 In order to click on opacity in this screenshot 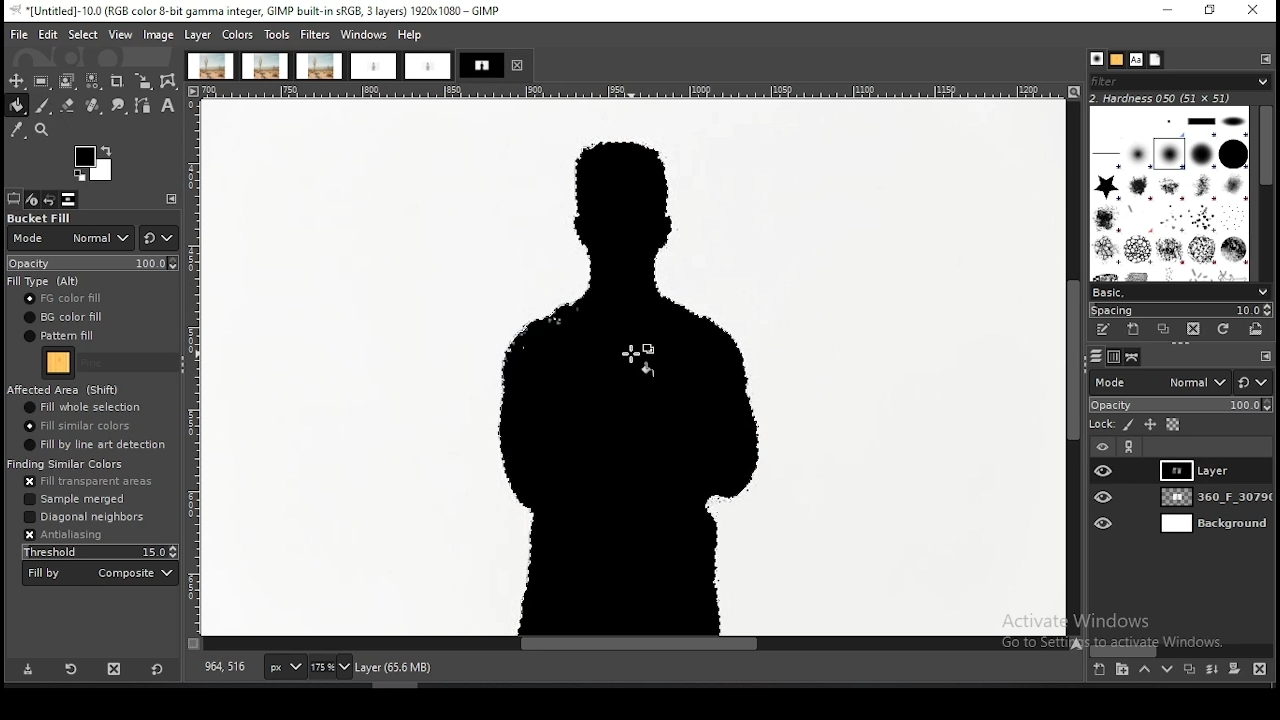, I will do `click(1180, 406)`.